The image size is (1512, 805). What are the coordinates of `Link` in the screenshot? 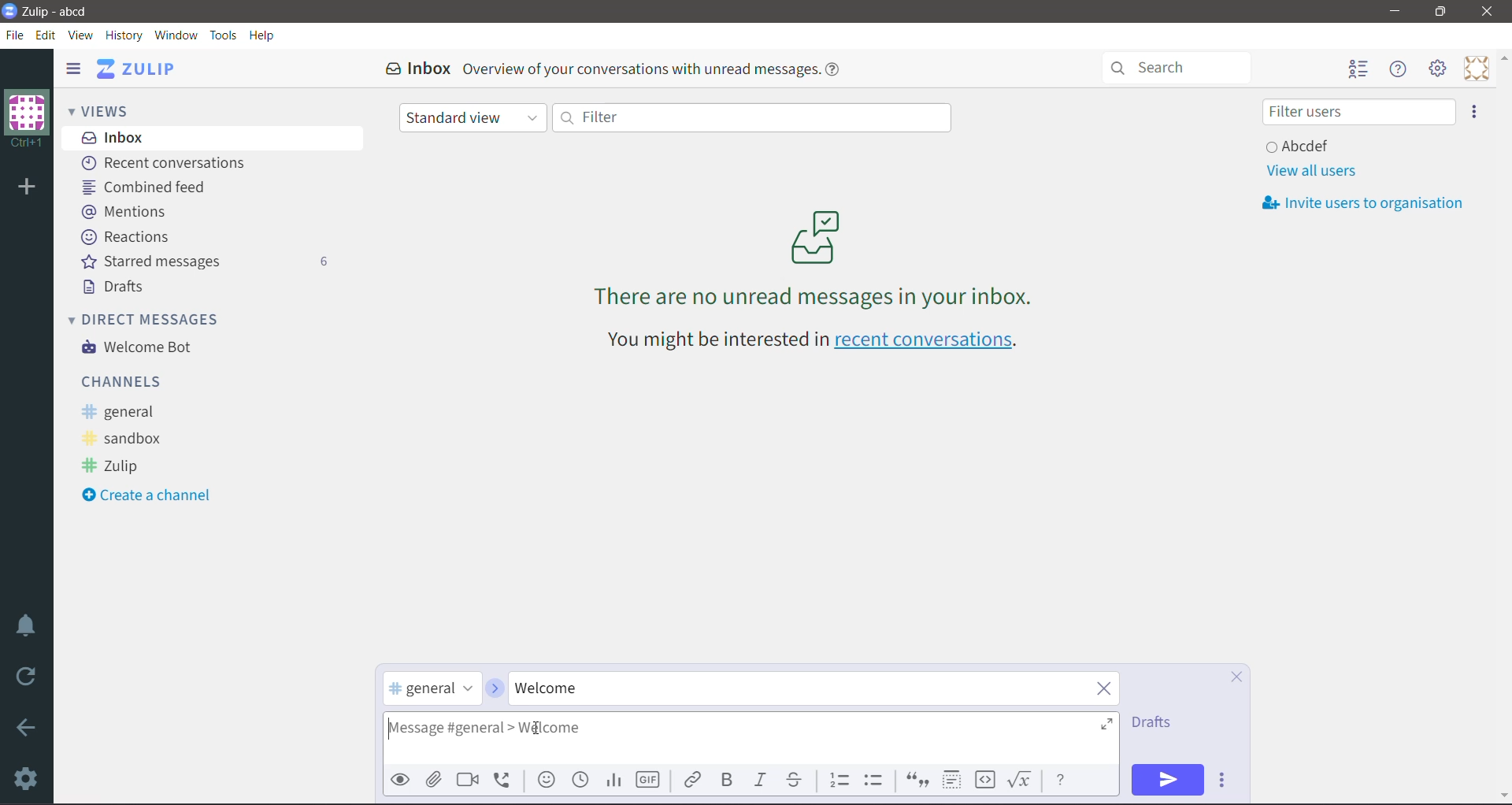 It's located at (692, 778).